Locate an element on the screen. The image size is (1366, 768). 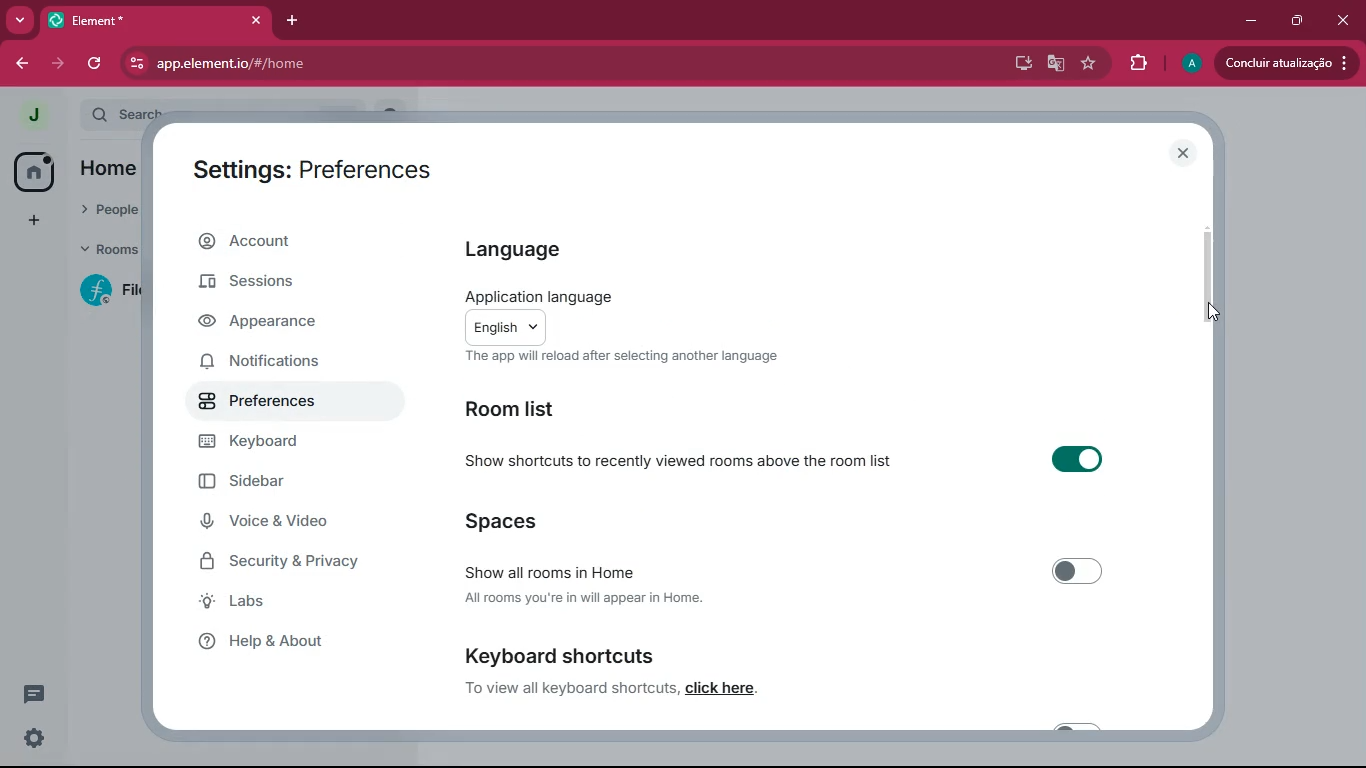
rooms is located at coordinates (111, 250).